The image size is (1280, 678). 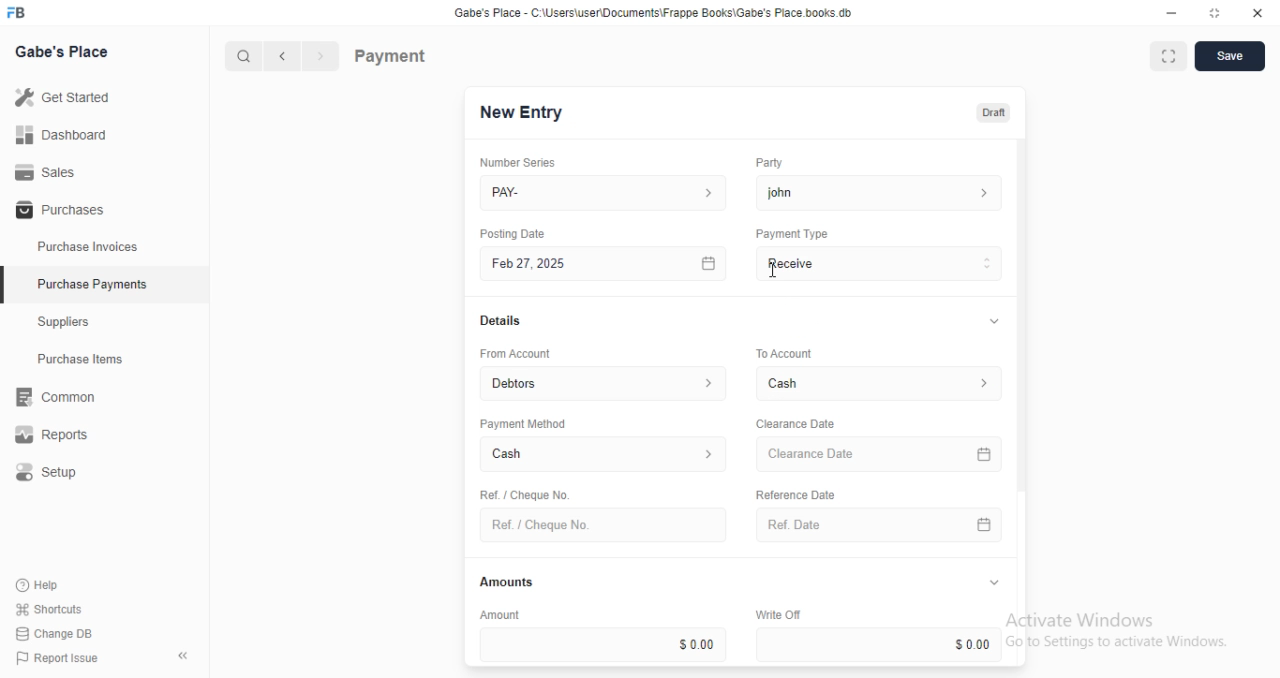 I want to click on navigate backward, so click(x=286, y=58).